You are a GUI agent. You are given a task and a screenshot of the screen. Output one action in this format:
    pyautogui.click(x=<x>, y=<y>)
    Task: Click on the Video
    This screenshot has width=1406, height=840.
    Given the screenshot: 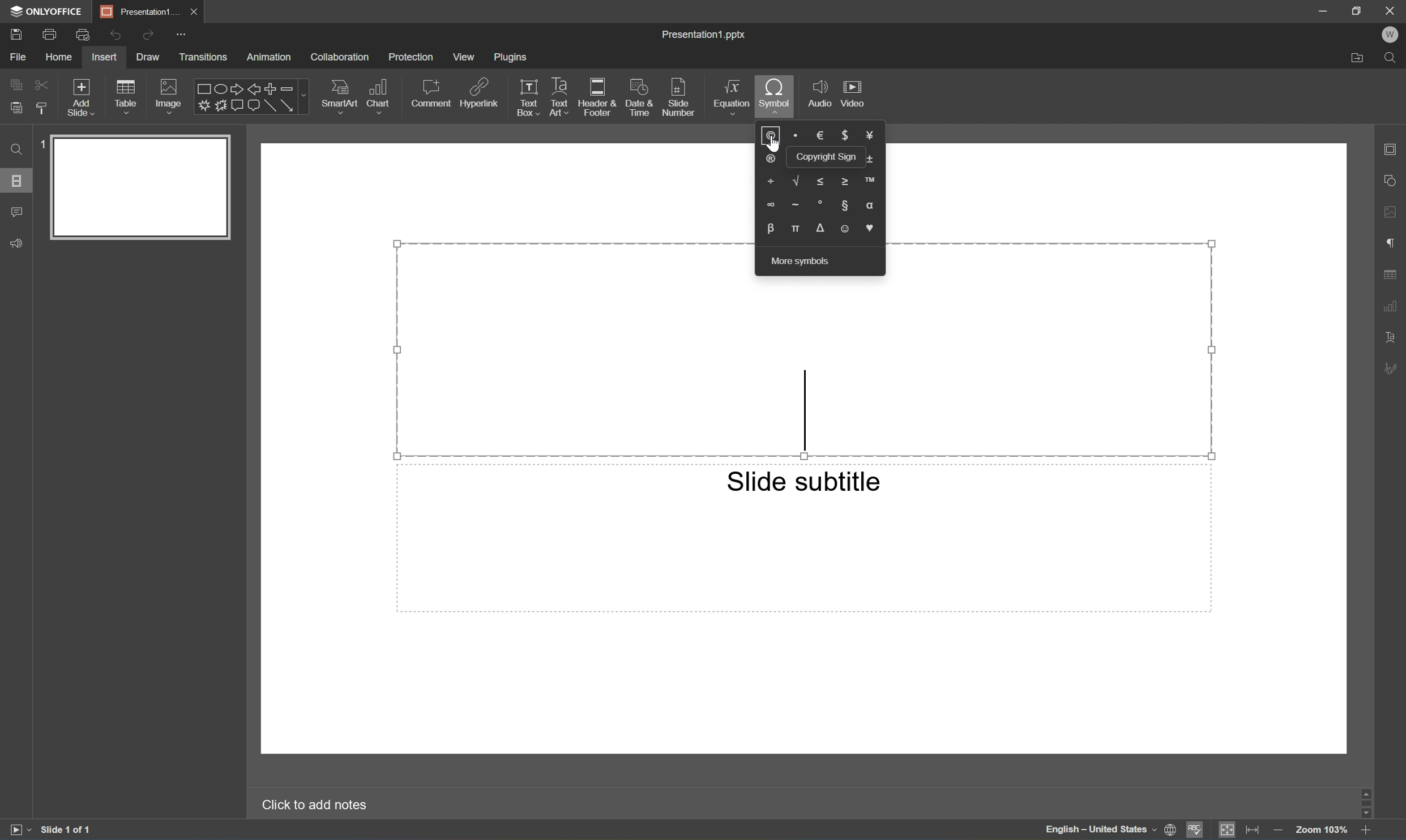 What is the action you would take?
    pyautogui.click(x=853, y=93)
    